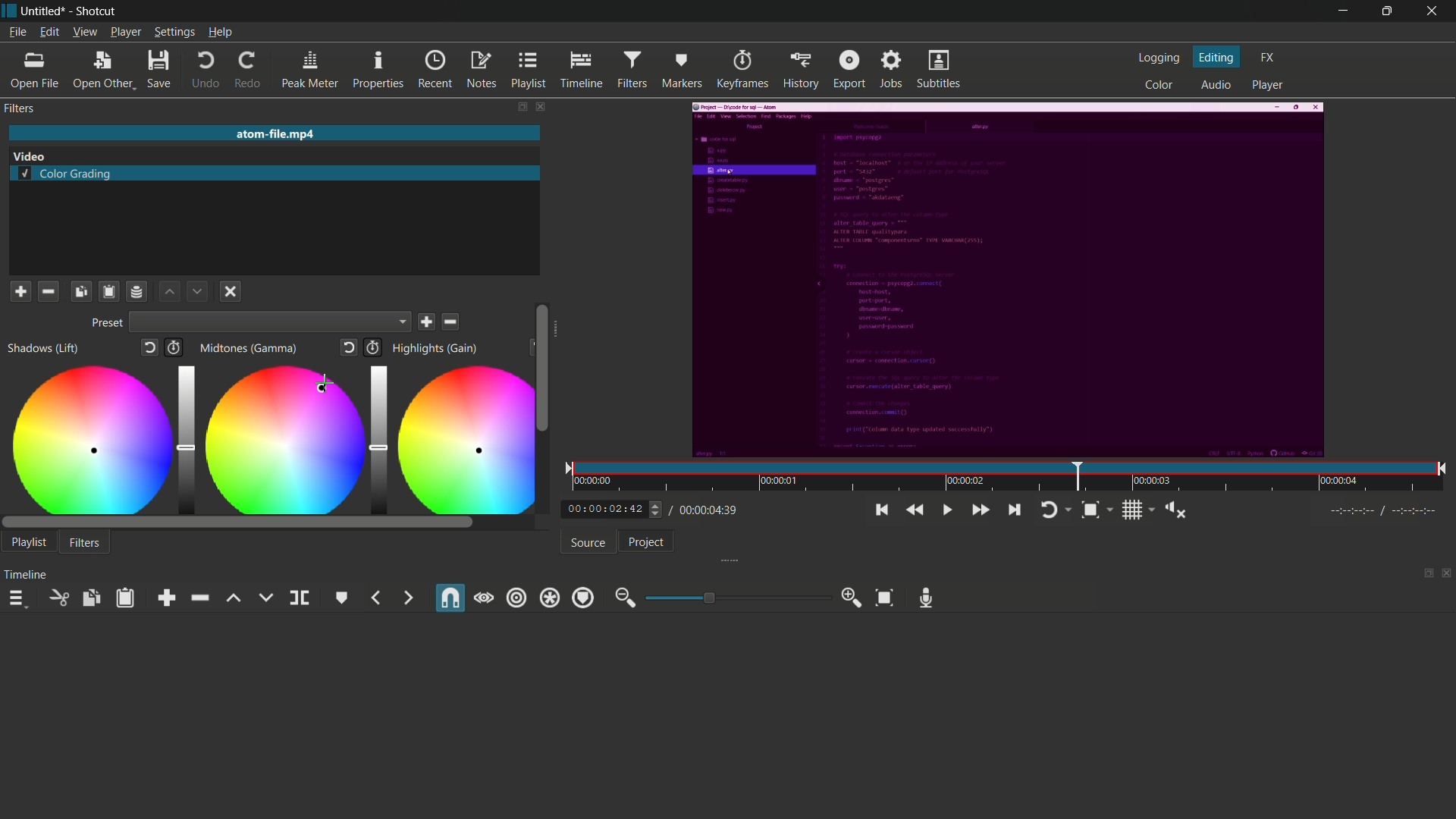 The width and height of the screenshot is (1456, 819). Describe the element at coordinates (90, 598) in the screenshot. I see `copy` at that location.